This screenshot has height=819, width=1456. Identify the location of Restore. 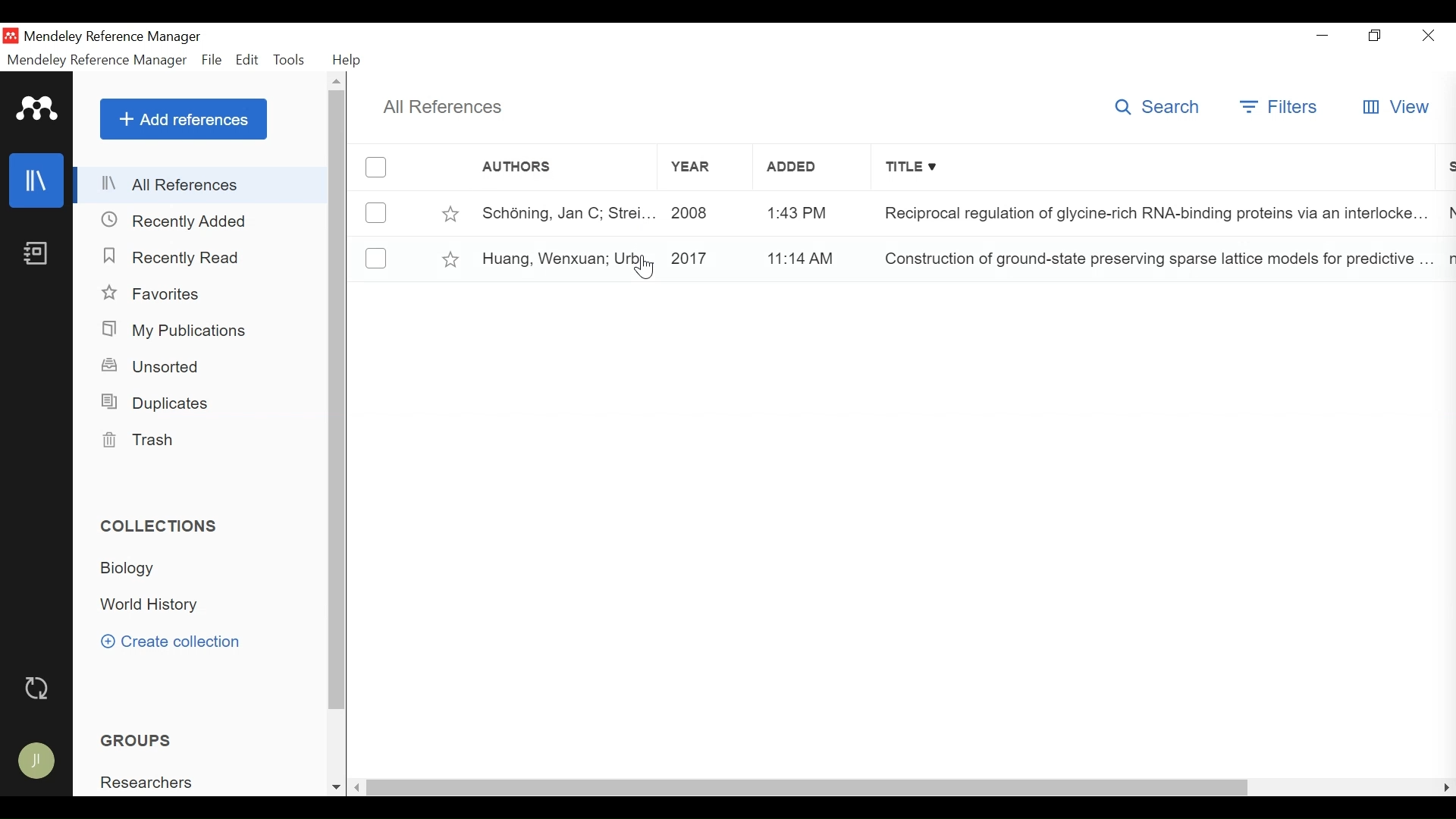
(1377, 36).